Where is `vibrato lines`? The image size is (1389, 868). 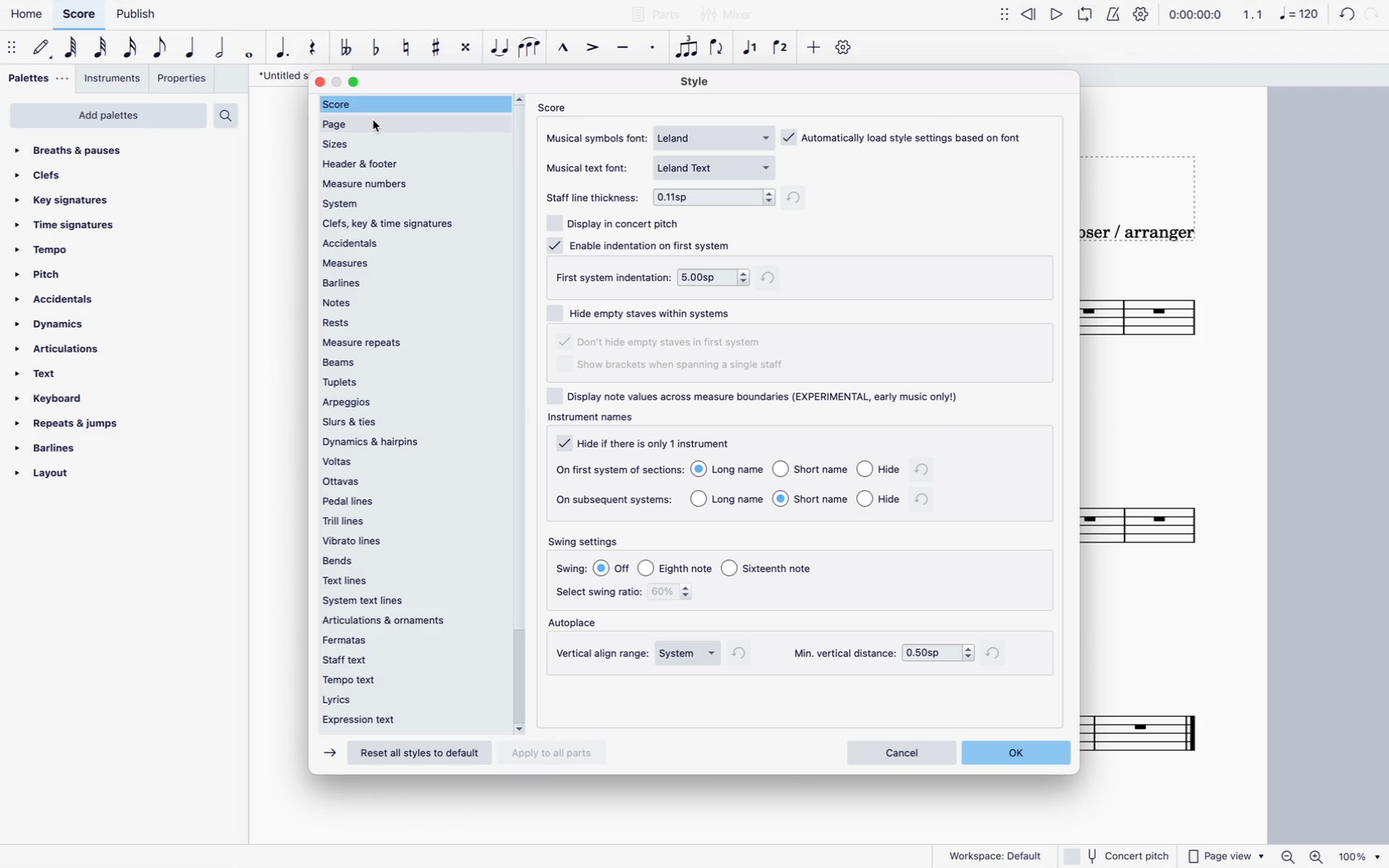
vibrato lines is located at coordinates (403, 540).